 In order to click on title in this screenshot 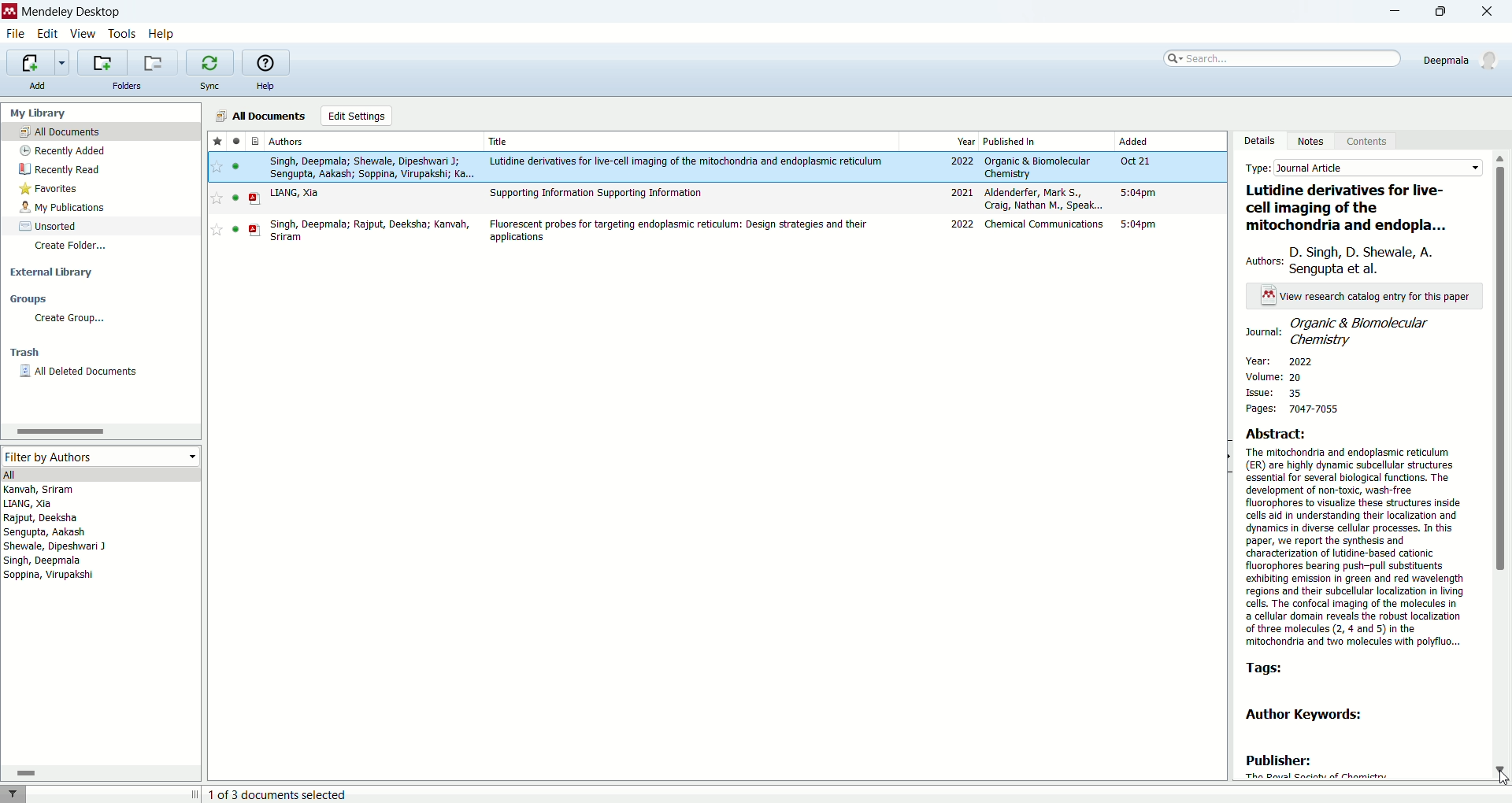, I will do `click(500, 141)`.